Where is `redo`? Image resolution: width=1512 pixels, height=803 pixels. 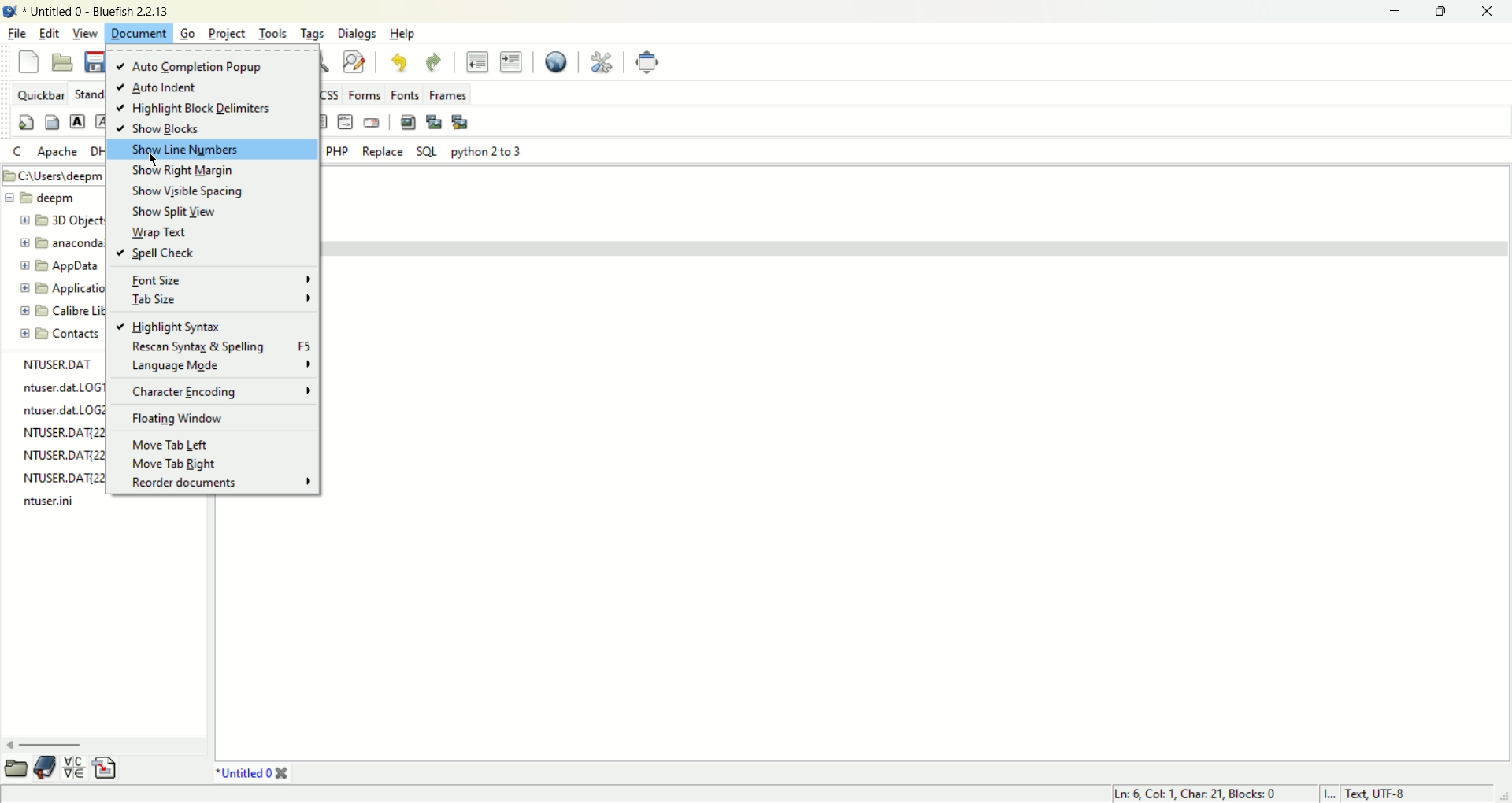 redo is located at coordinates (435, 62).